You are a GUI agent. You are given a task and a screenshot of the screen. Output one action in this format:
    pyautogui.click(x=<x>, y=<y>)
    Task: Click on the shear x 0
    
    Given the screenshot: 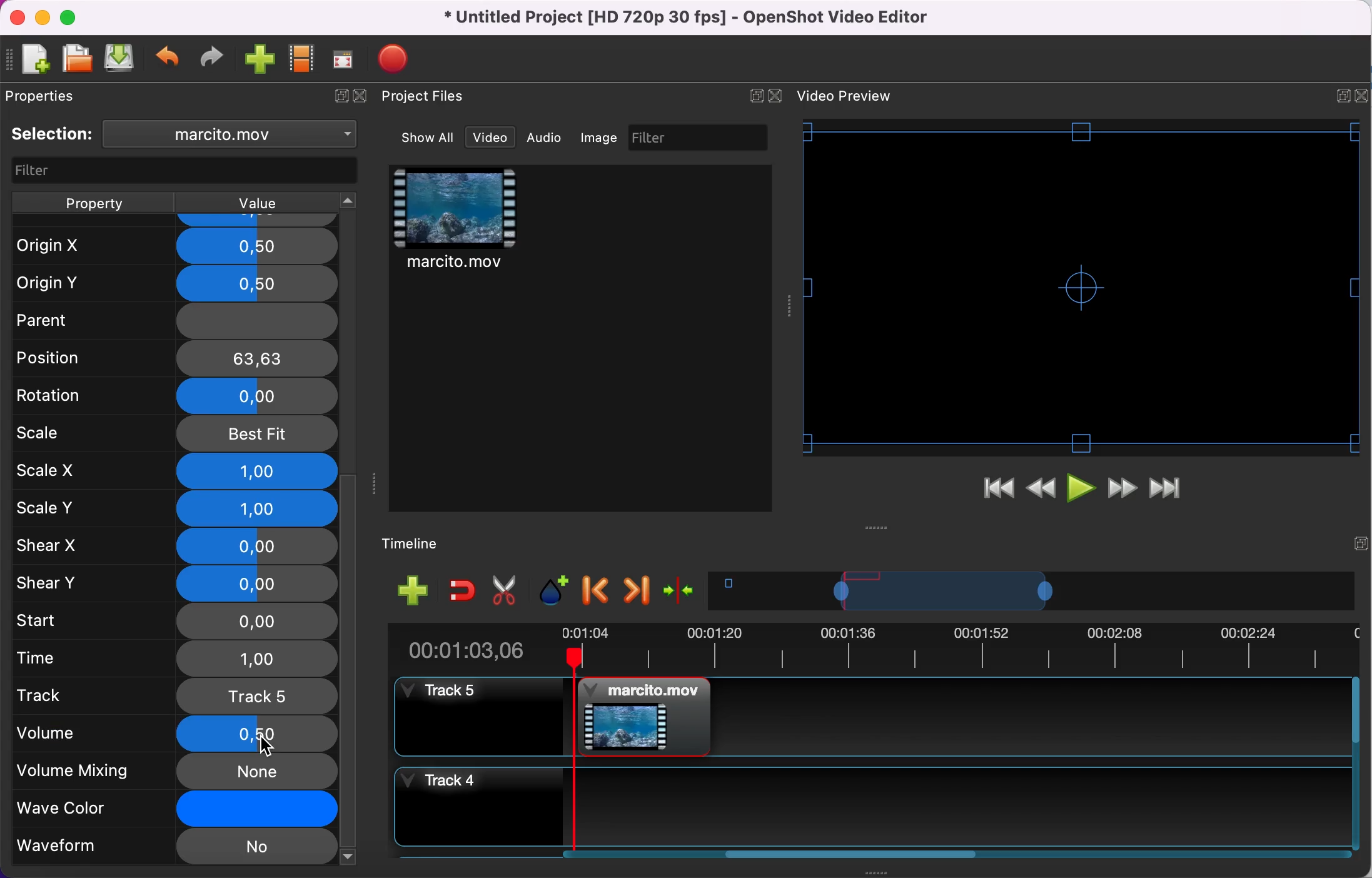 What is the action you would take?
    pyautogui.click(x=175, y=547)
    